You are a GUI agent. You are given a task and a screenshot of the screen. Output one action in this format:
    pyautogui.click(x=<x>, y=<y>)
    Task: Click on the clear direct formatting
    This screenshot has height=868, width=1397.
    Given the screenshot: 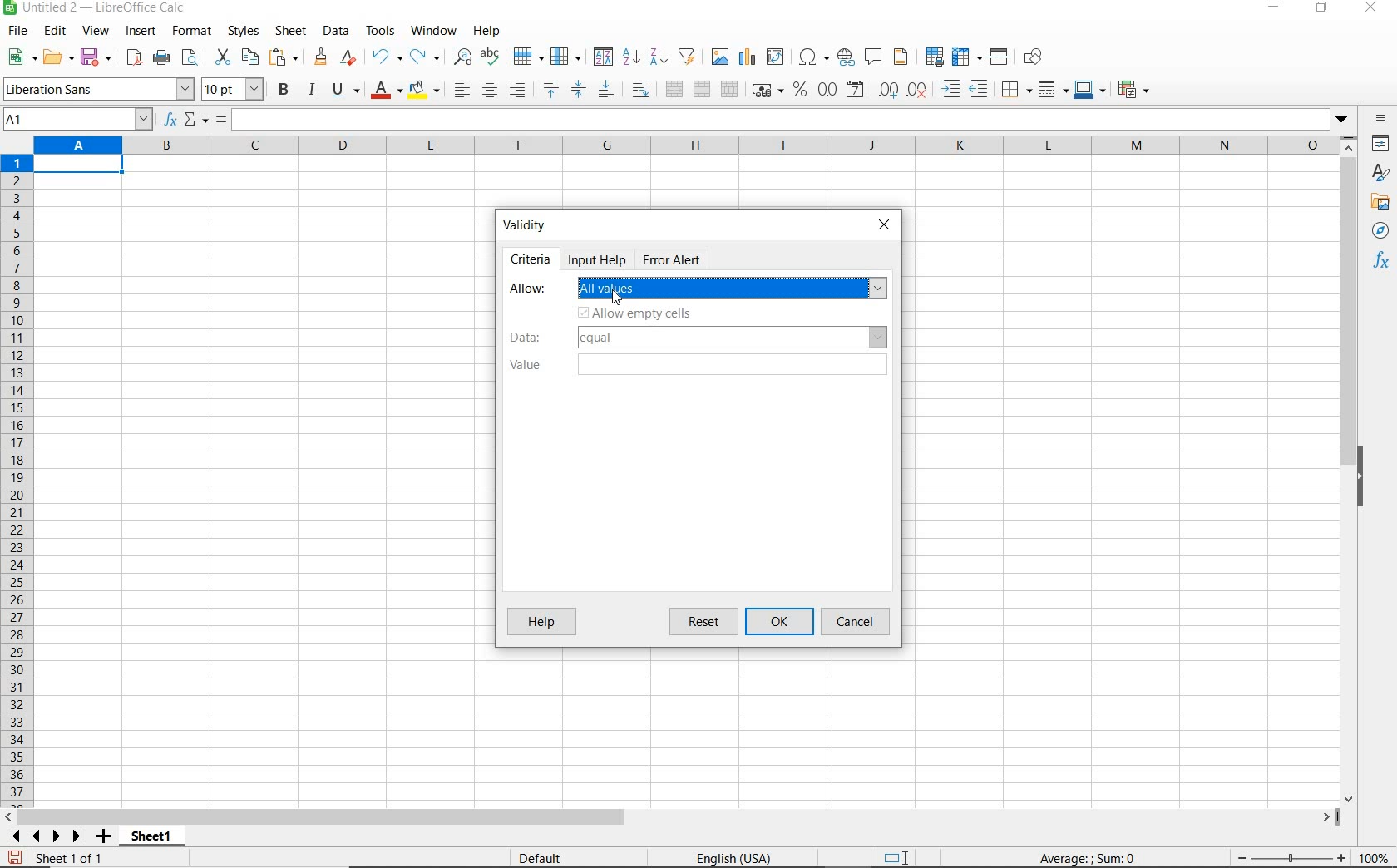 What is the action you would take?
    pyautogui.click(x=350, y=57)
    